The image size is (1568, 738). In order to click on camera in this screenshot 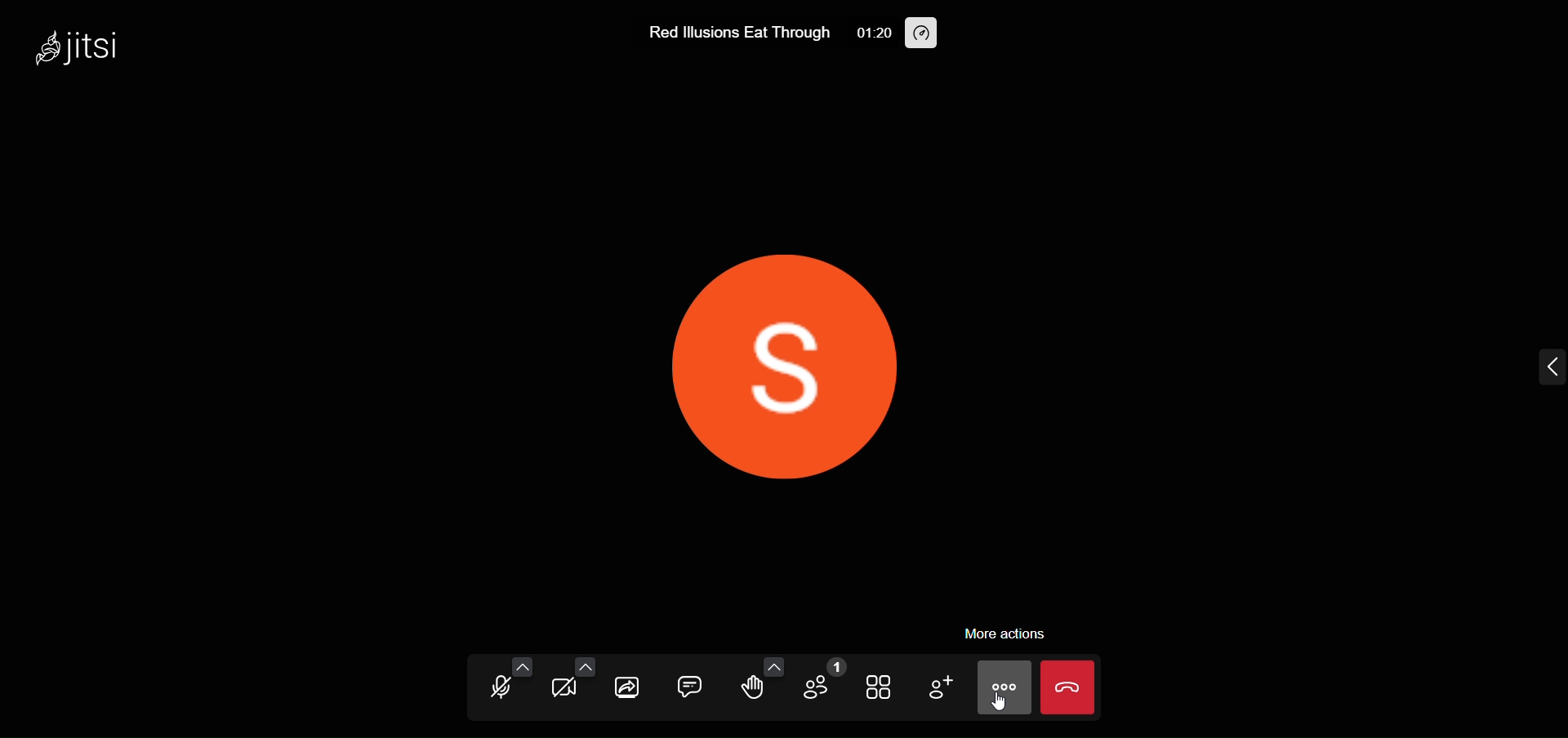, I will do `click(564, 690)`.